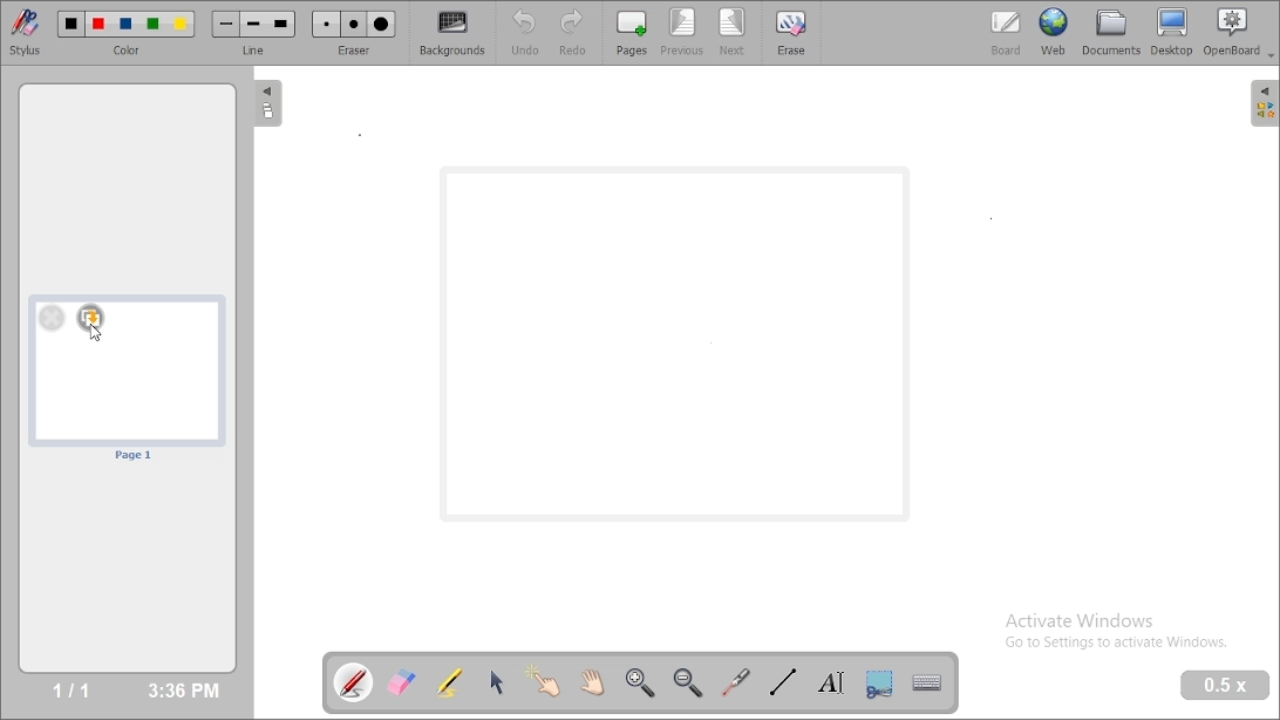 Image resolution: width=1280 pixels, height=720 pixels. I want to click on delete page, so click(51, 317).